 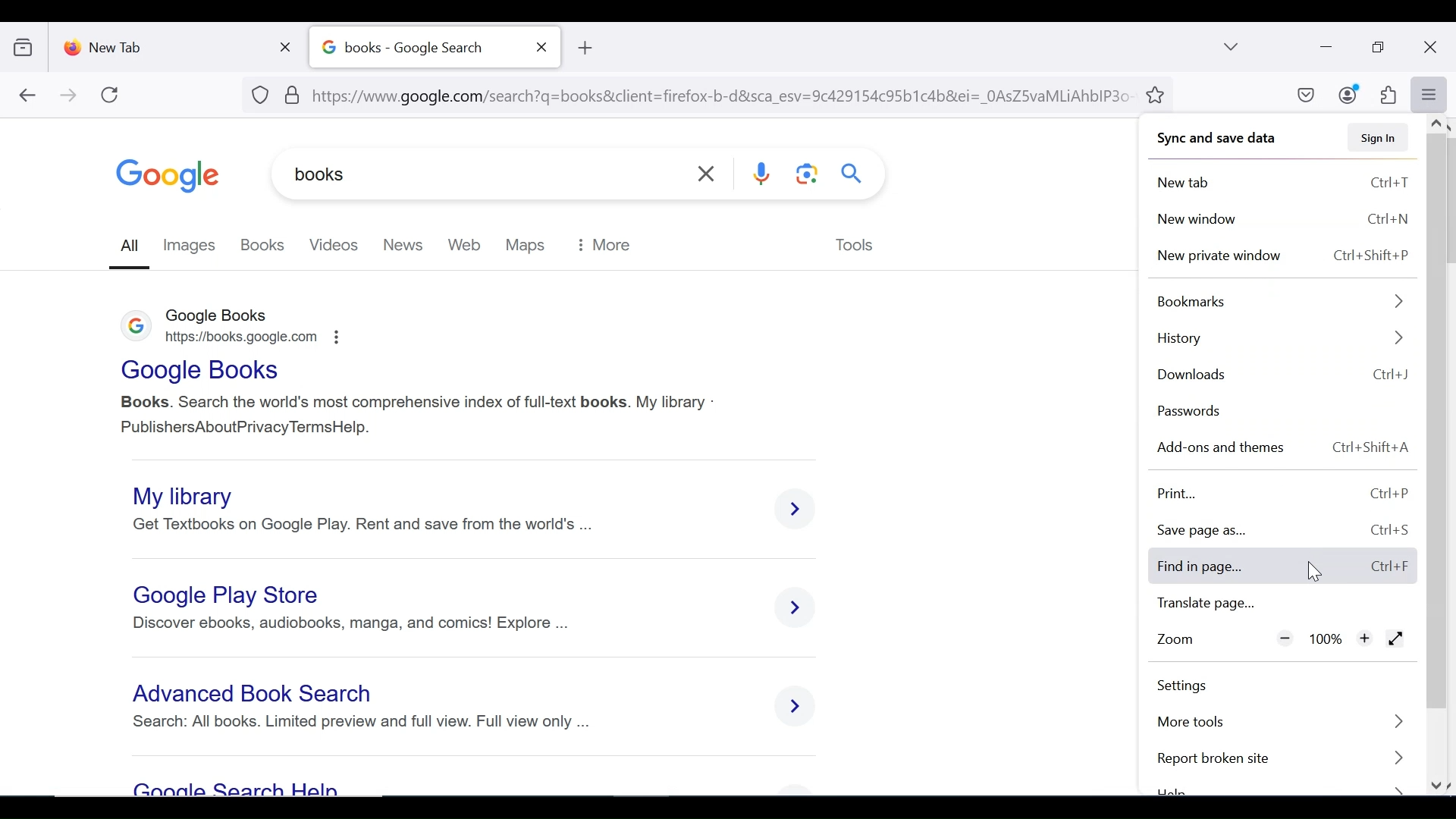 I want to click on Discover ebooks, audiobooks, manga, and comics! Explore ..., so click(x=347, y=623).